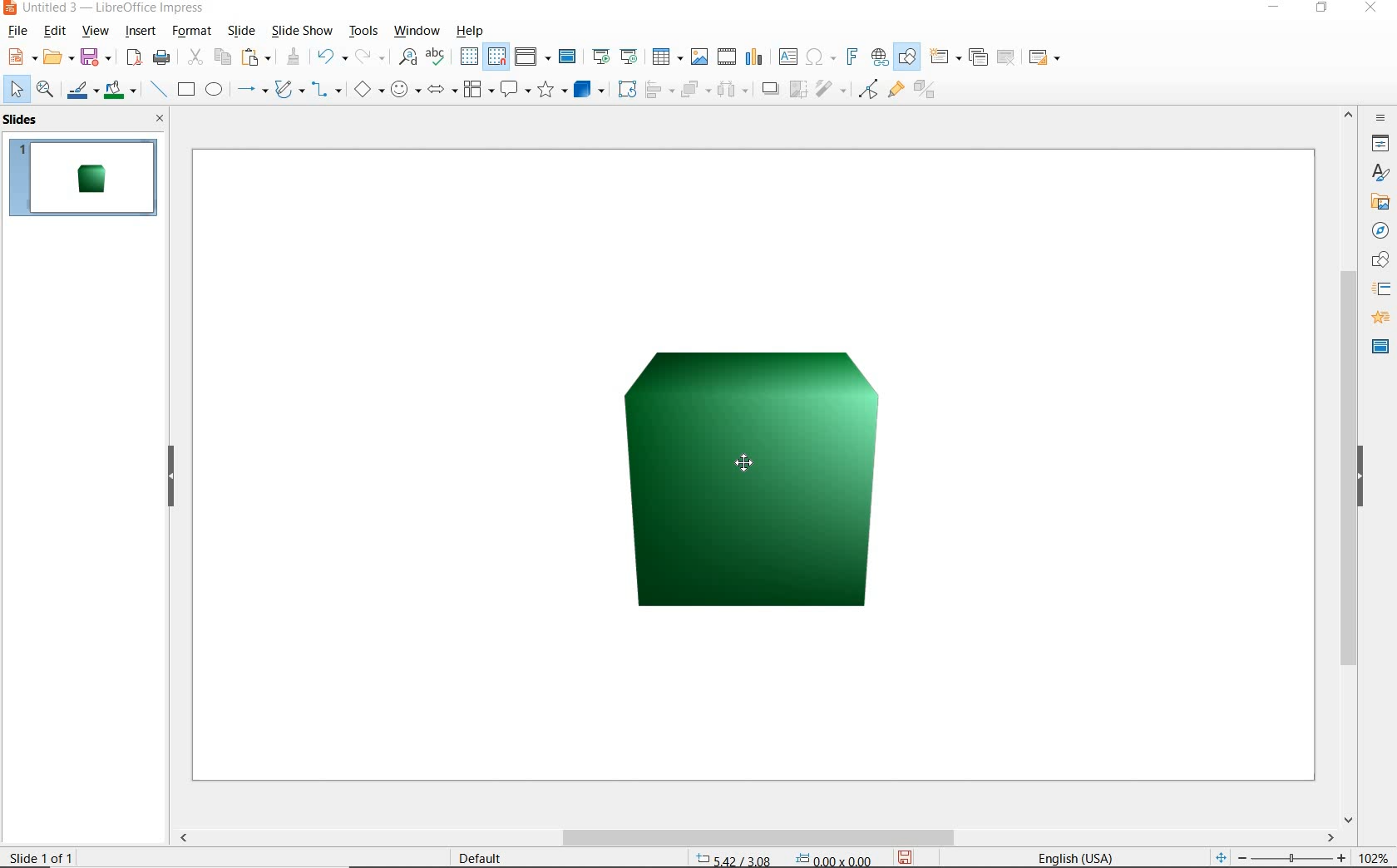  Describe the element at coordinates (57, 57) in the screenshot. I see `open` at that location.